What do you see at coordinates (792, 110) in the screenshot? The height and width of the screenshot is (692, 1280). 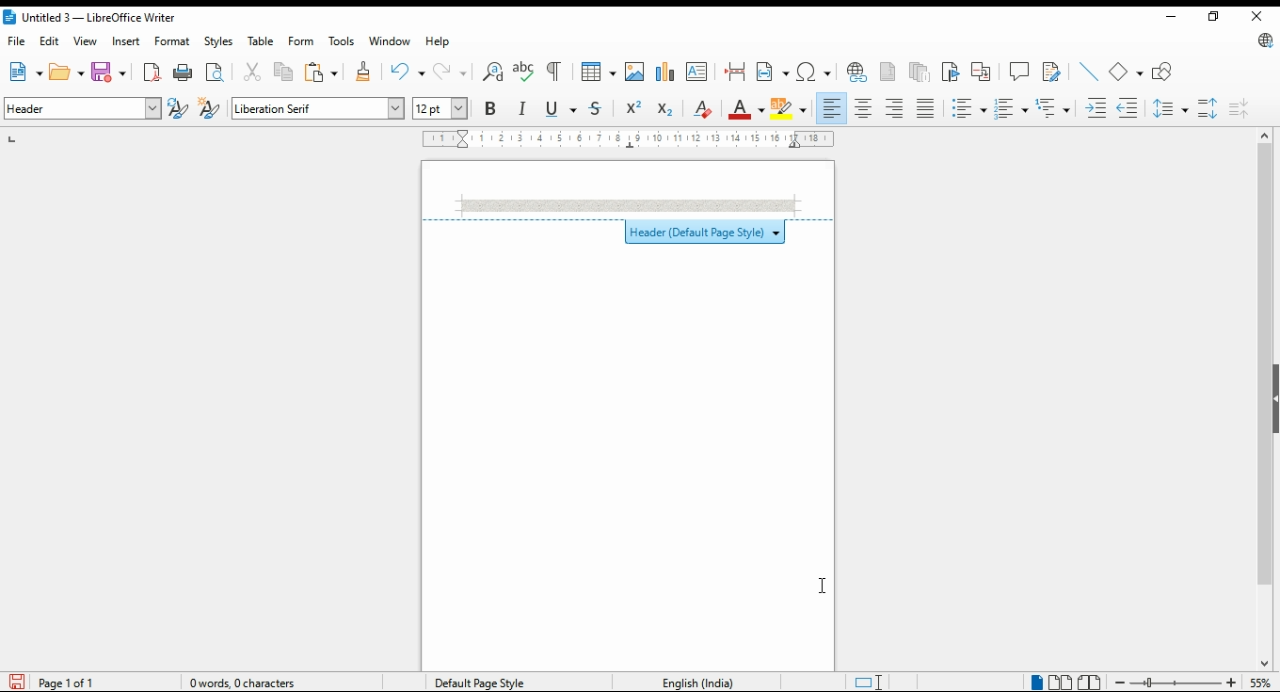 I see `highlight color` at bounding box center [792, 110].